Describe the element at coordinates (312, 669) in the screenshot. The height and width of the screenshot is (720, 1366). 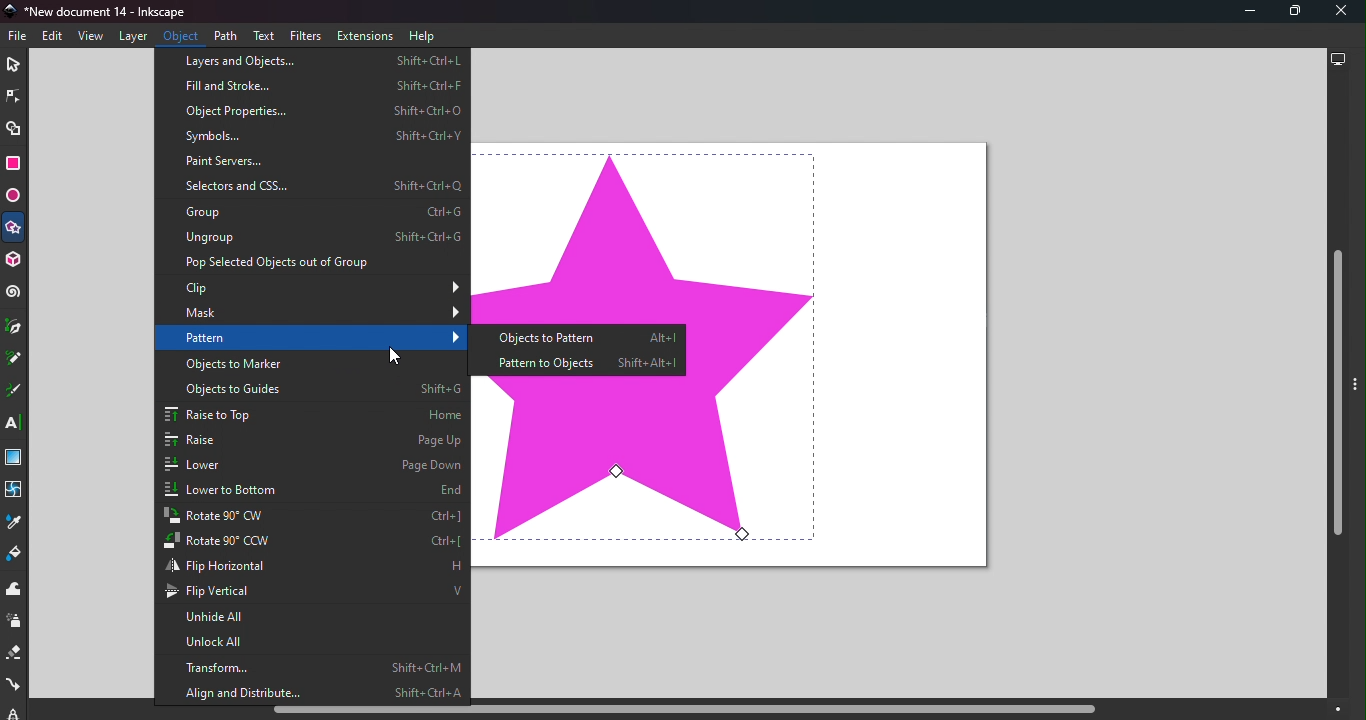
I see `Transform` at that location.